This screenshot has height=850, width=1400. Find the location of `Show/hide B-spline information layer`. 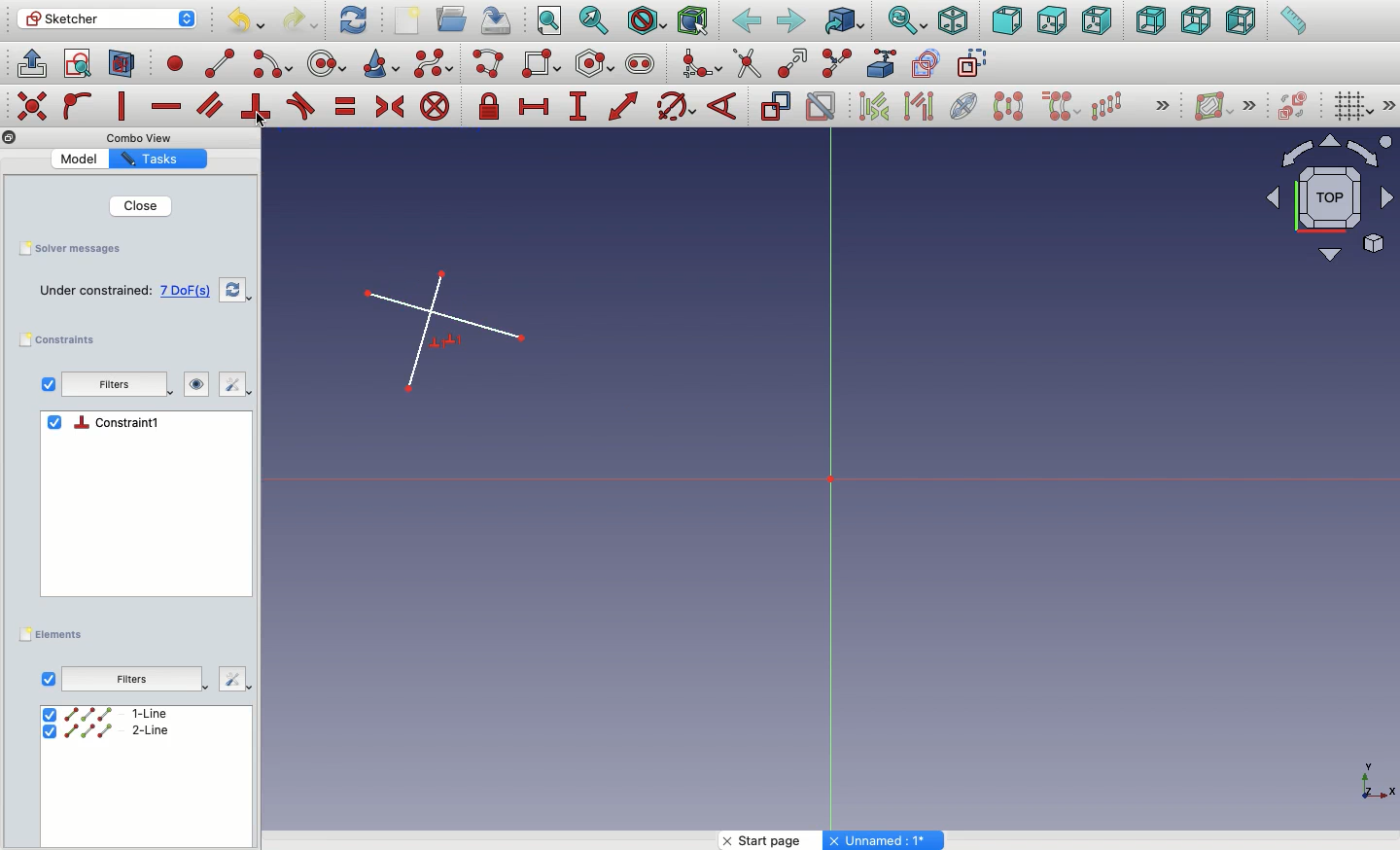

Show/hide B-spline information layer is located at coordinates (1213, 106).